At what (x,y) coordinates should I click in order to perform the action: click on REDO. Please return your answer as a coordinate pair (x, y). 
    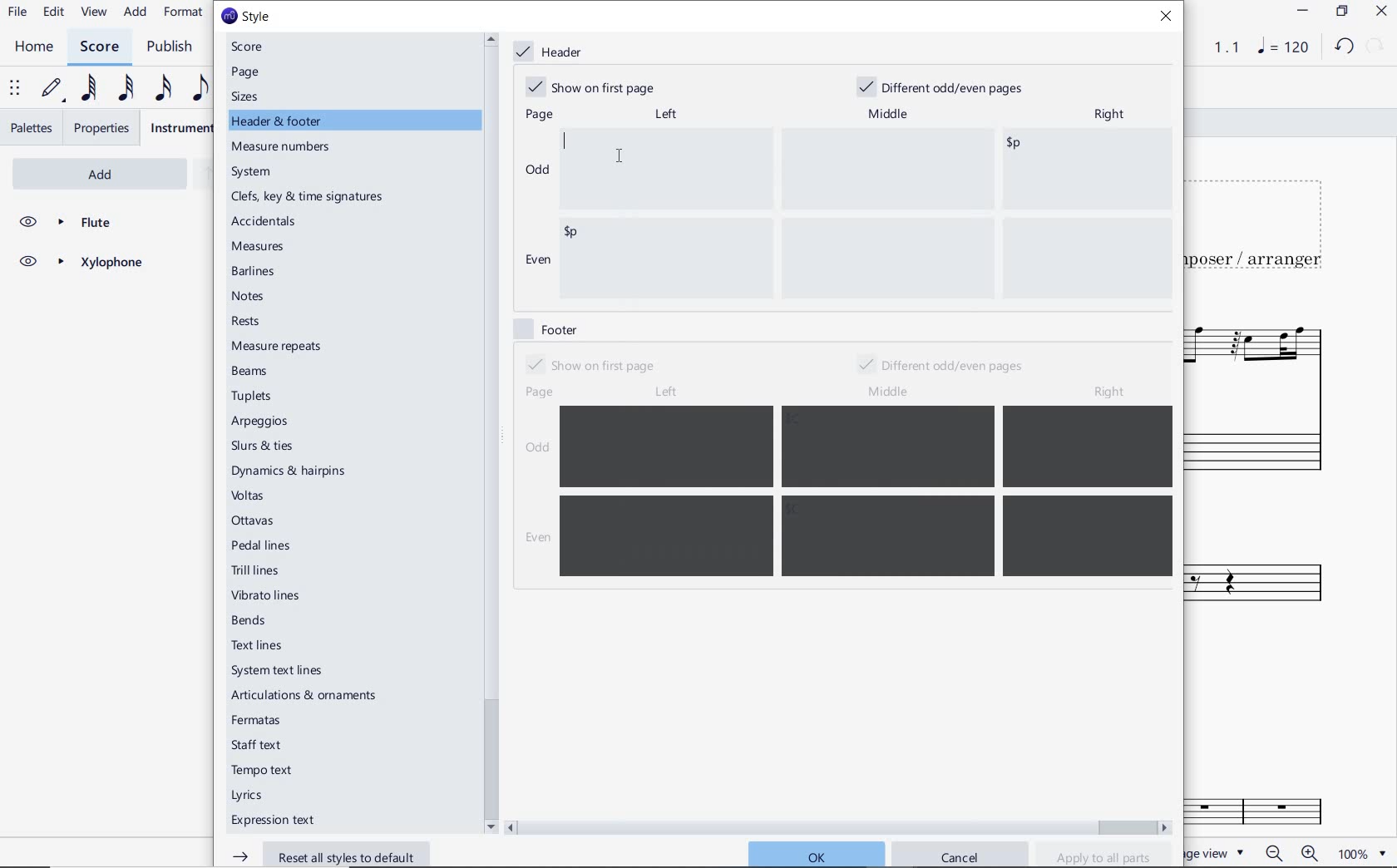
    Looking at the image, I should click on (1375, 47).